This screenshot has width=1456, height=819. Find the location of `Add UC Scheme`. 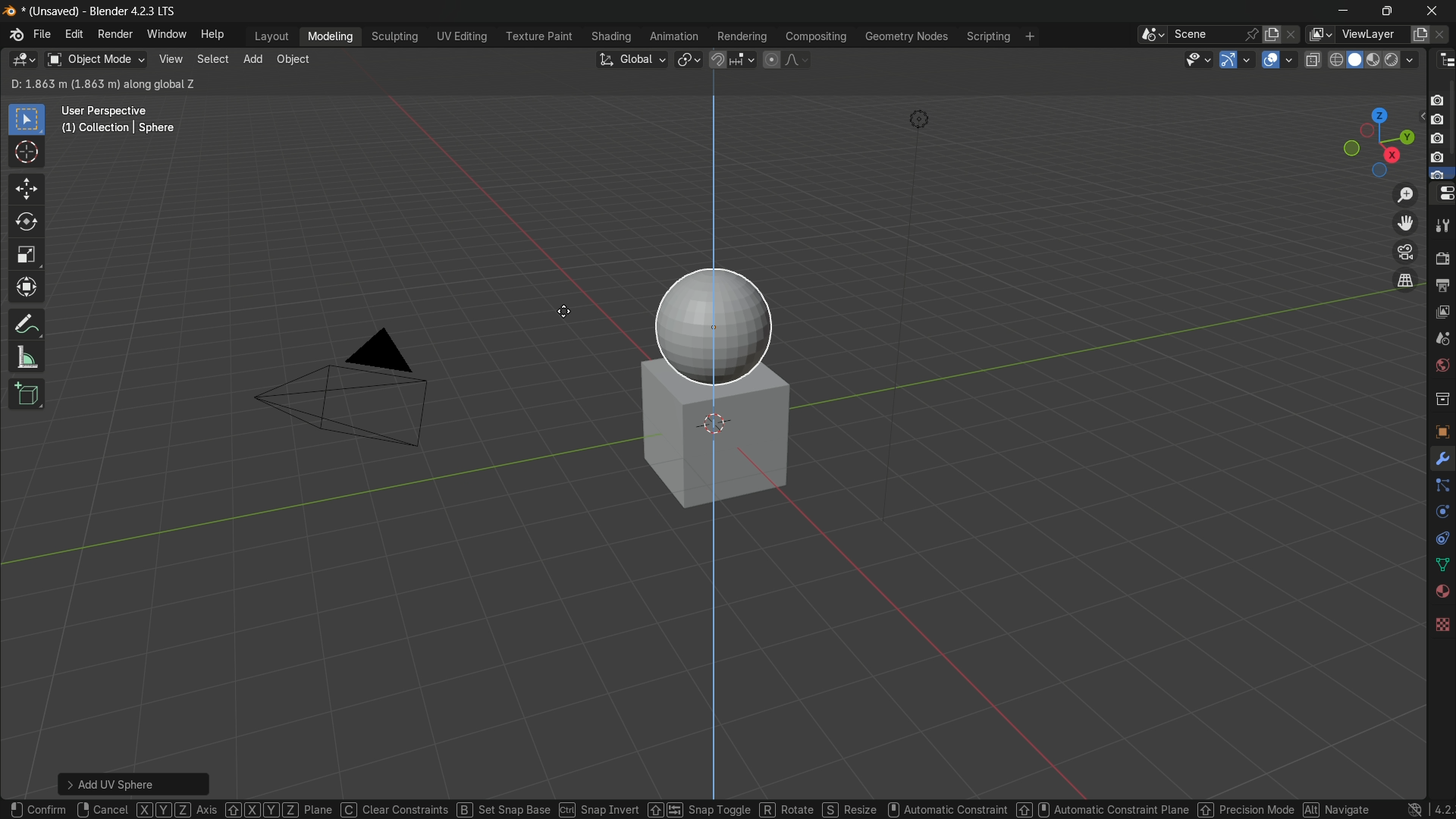

Add UC Scheme is located at coordinates (134, 782).